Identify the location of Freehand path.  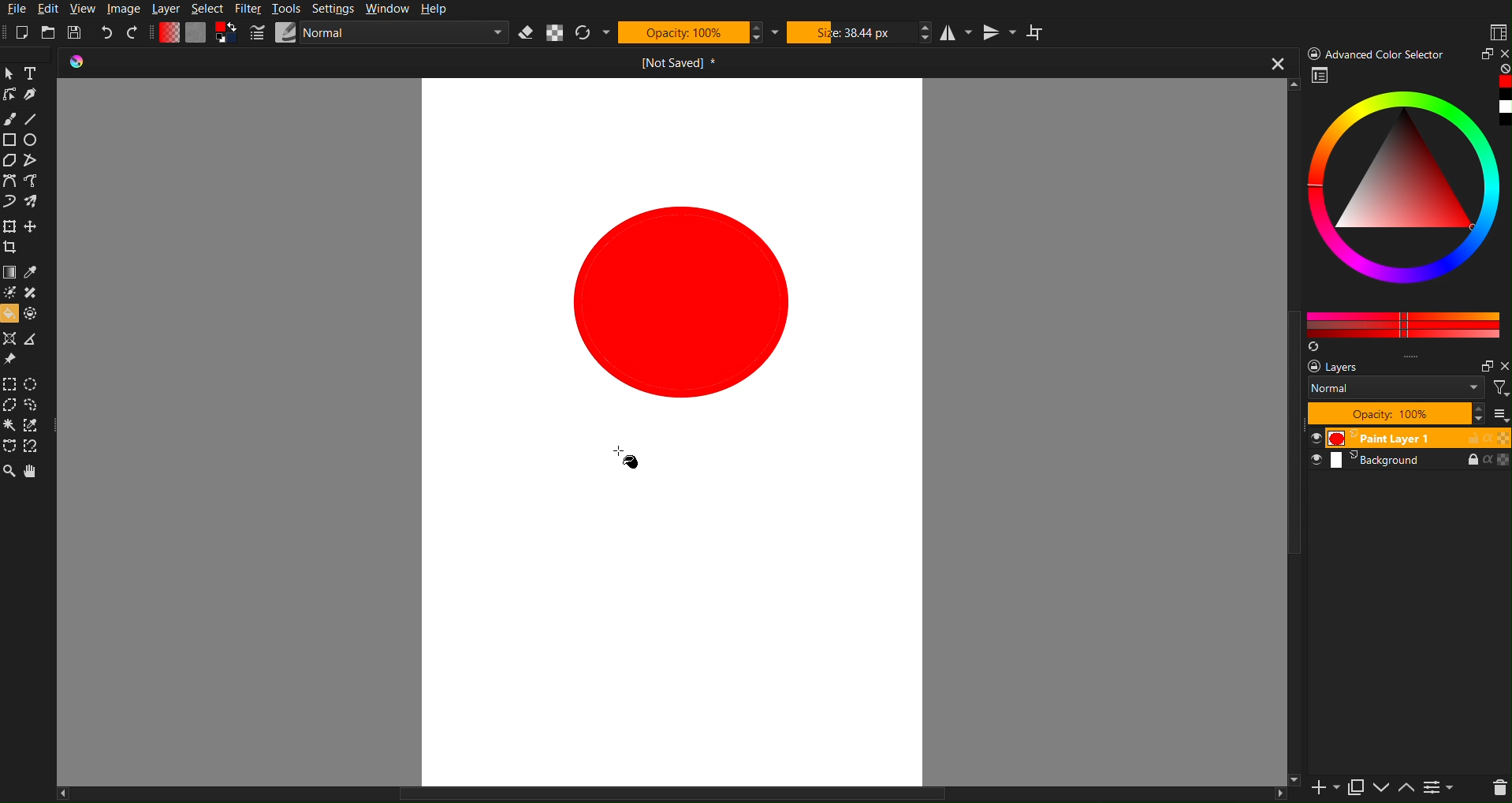
(32, 181).